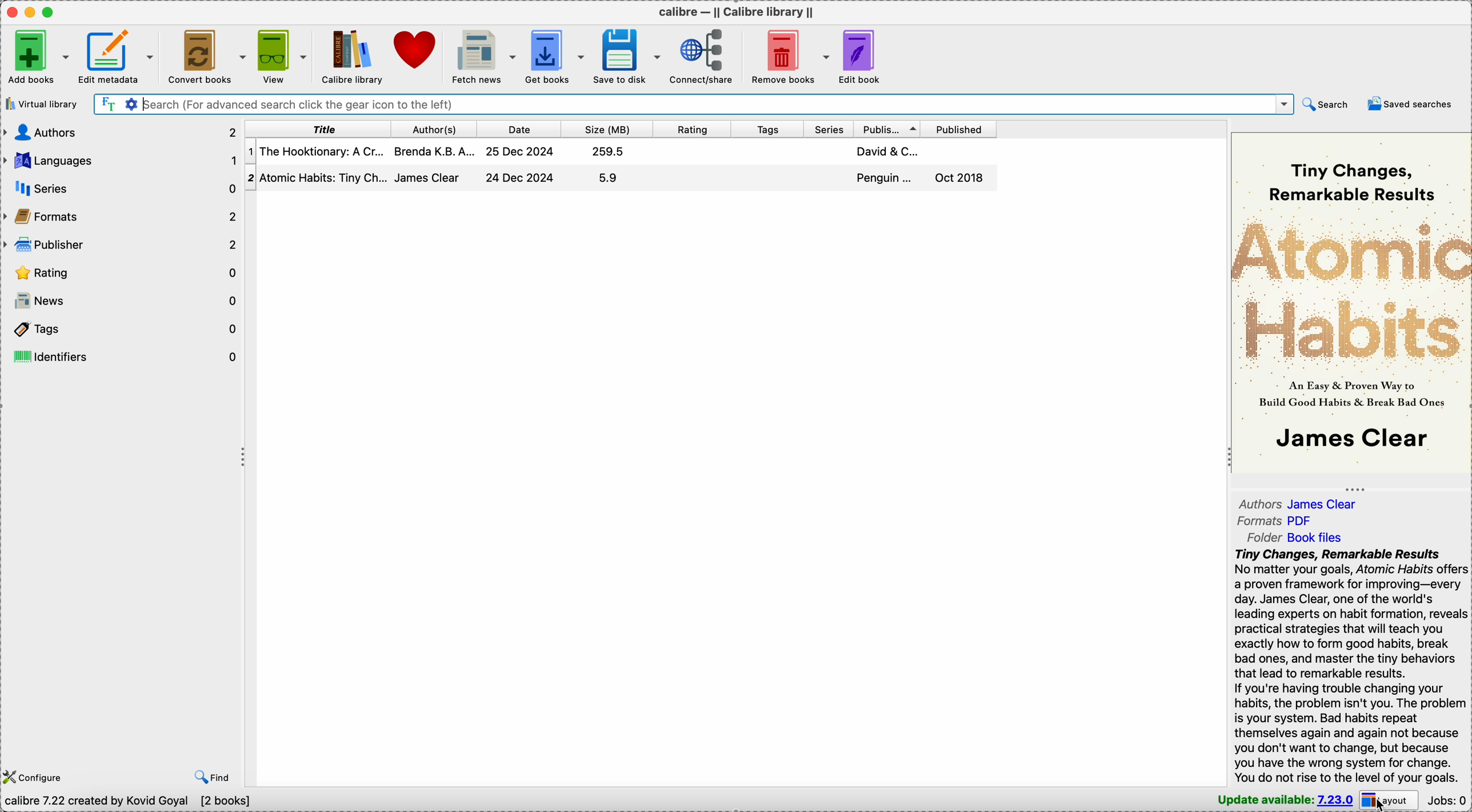  Describe the element at coordinates (130, 803) in the screenshot. I see `calibre 7.22 created by kovid goyal [2 books]` at that location.